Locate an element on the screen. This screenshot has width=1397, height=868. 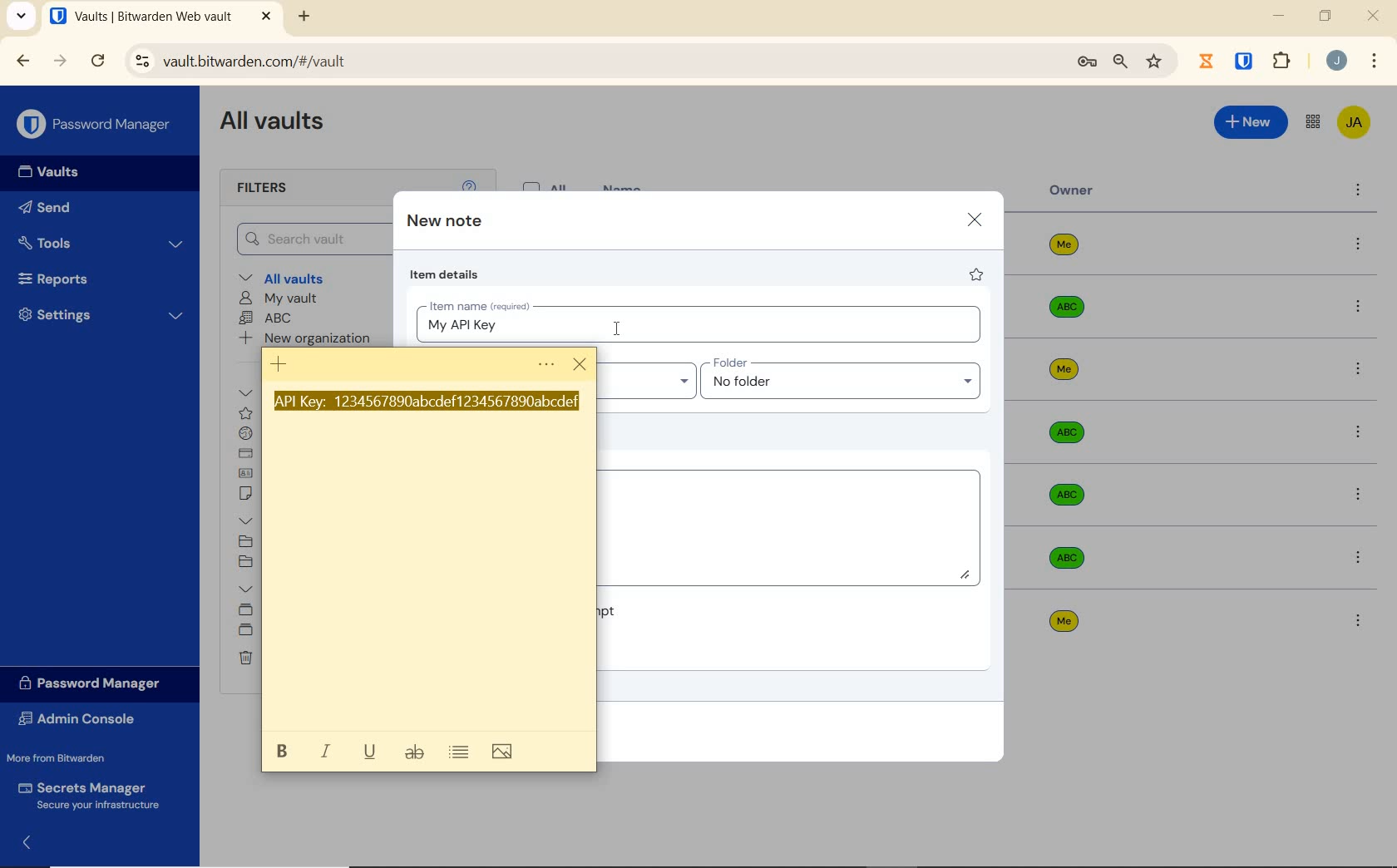
more options is located at coordinates (1357, 308).